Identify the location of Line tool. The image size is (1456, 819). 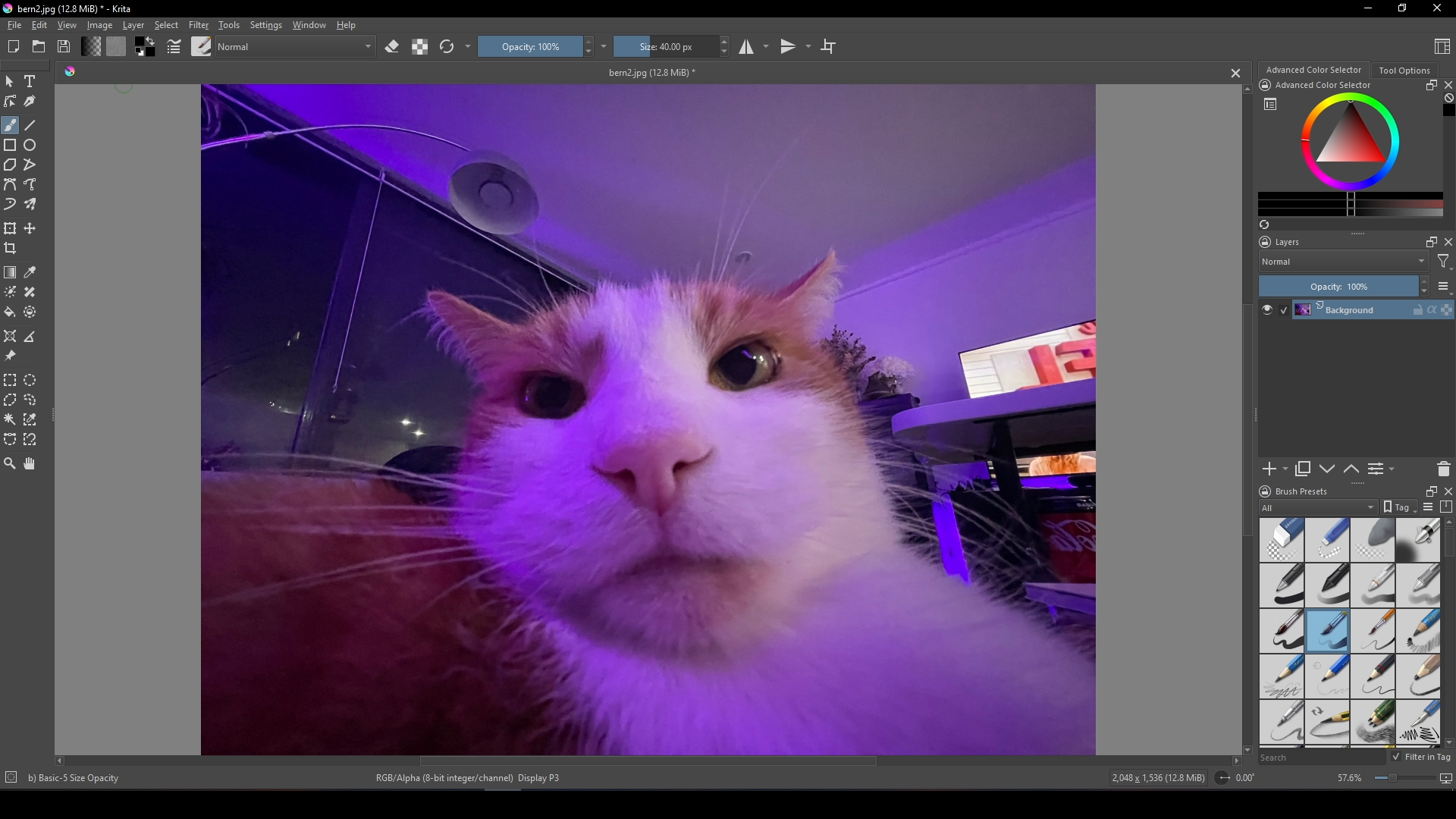
(30, 126).